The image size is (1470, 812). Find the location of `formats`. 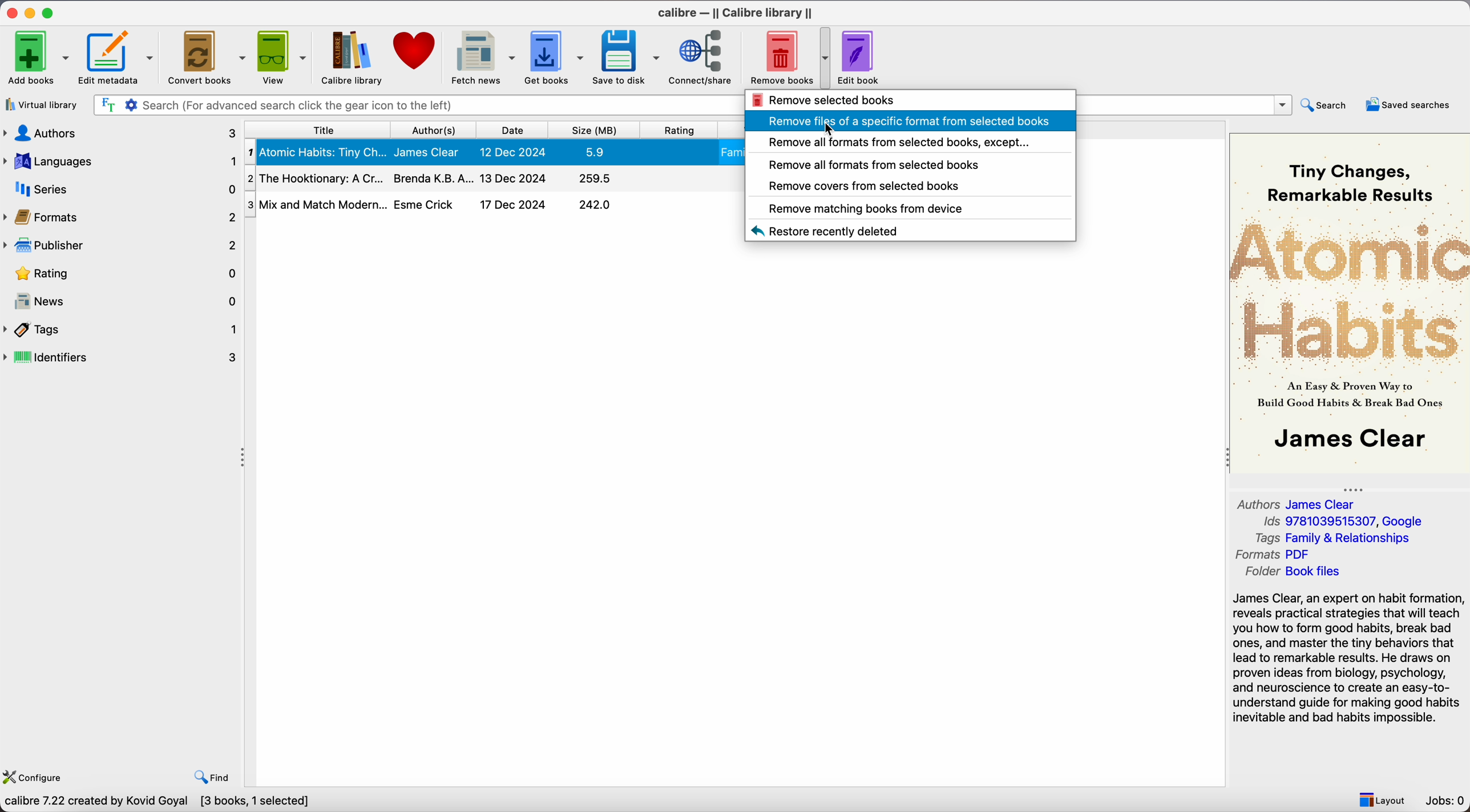

formats is located at coordinates (120, 216).